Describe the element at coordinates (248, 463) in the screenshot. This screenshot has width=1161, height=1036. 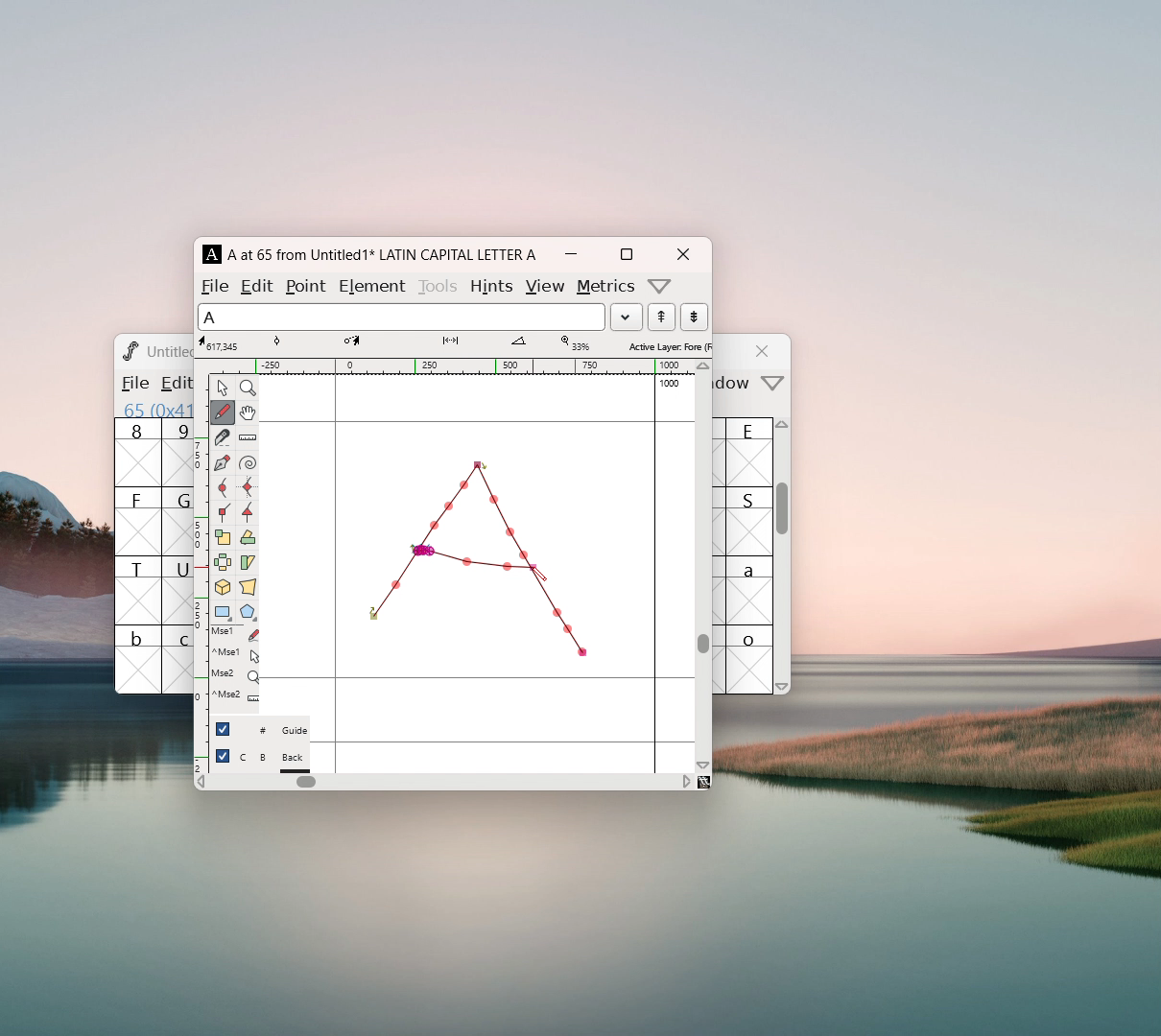
I see `toggle spiro` at that location.